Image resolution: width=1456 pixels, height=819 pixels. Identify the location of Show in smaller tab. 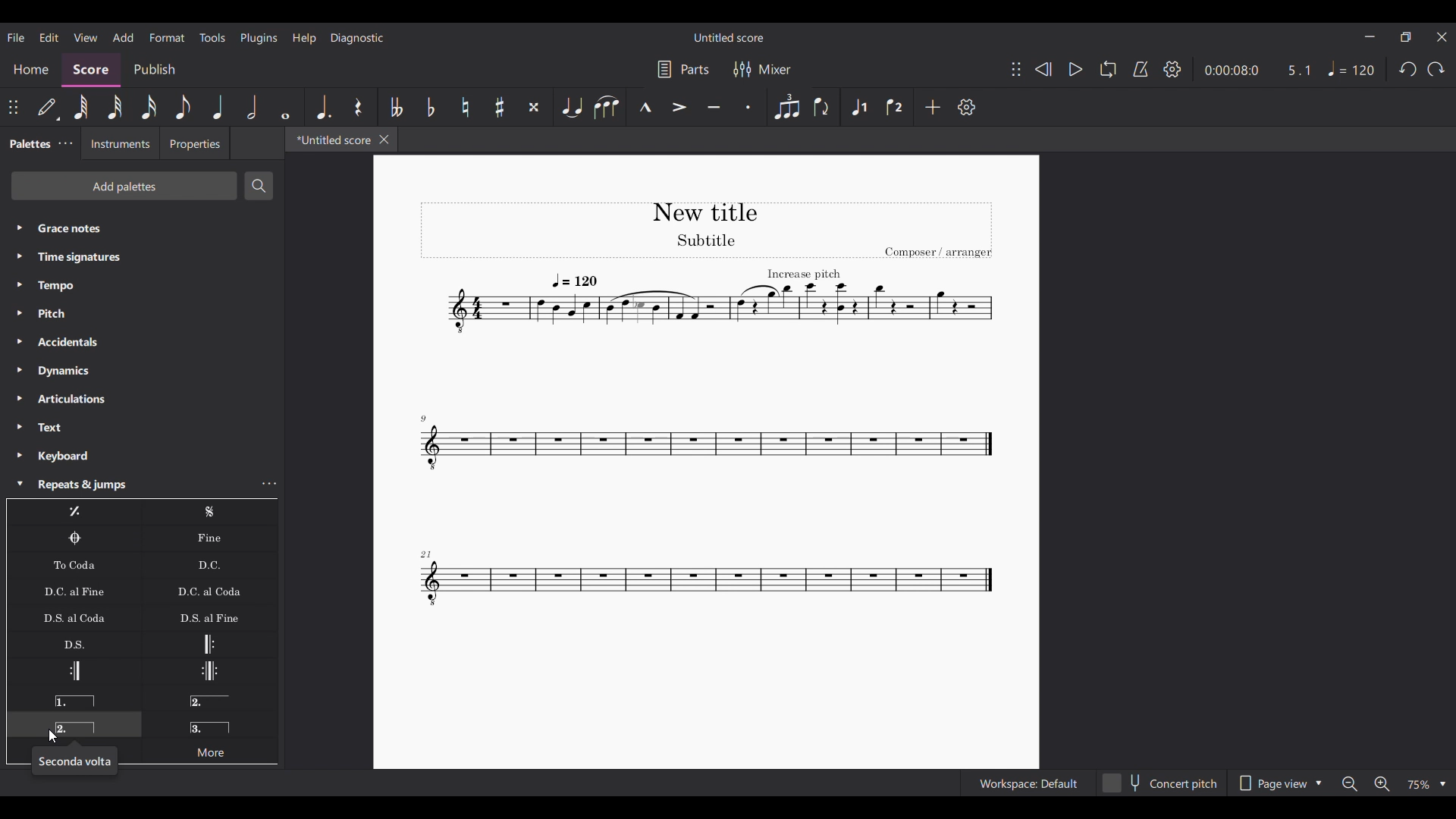
(1405, 37).